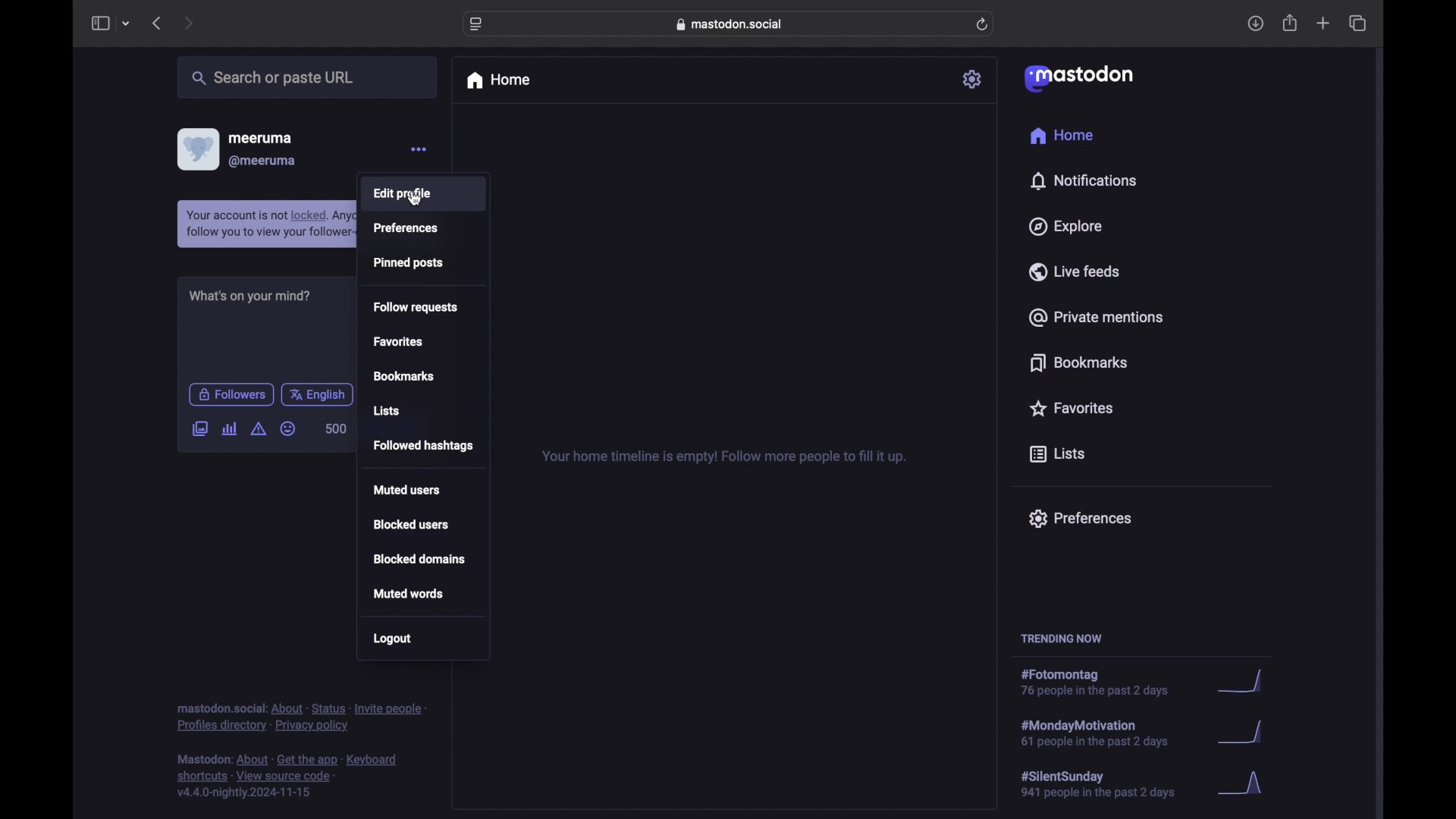 The width and height of the screenshot is (1456, 819). What do you see at coordinates (1077, 362) in the screenshot?
I see `bookmarks` at bounding box center [1077, 362].